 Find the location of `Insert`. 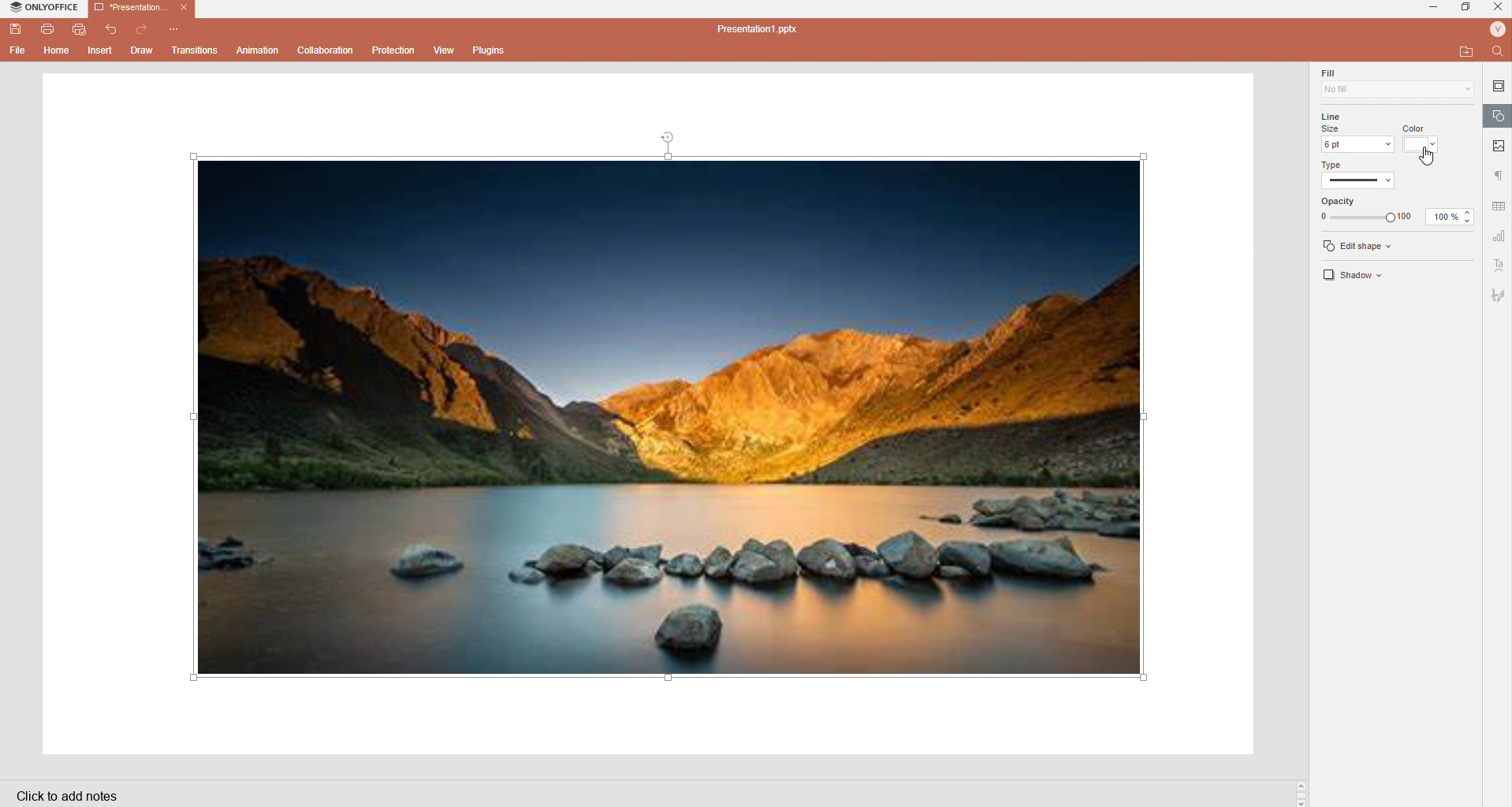

Insert is located at coordinates (101, 50).